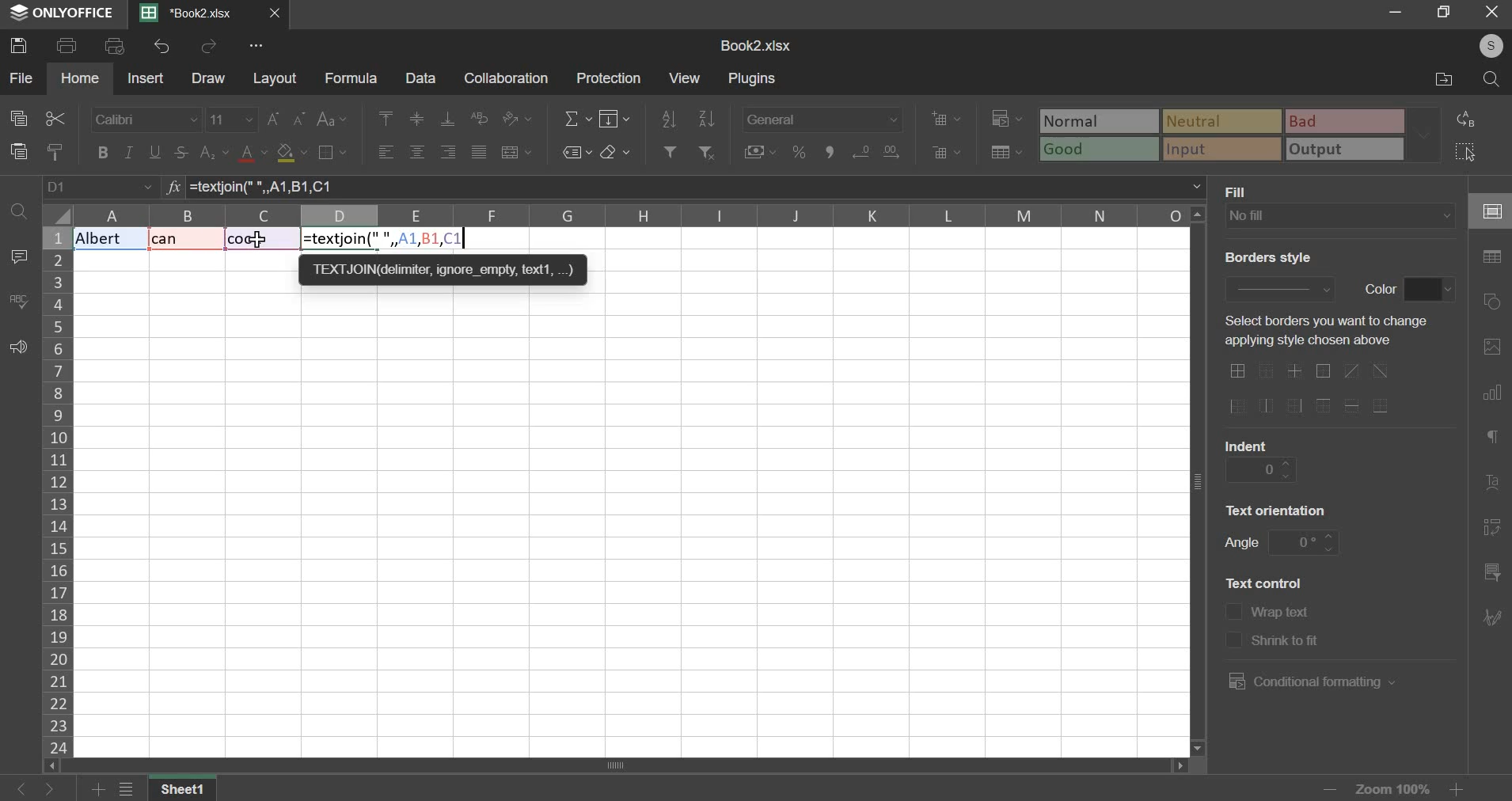 This screenshot has height=801, width=1512. Describe the element at coordinates (1482, 44) in the screenshot. I see `user's account` at that location.